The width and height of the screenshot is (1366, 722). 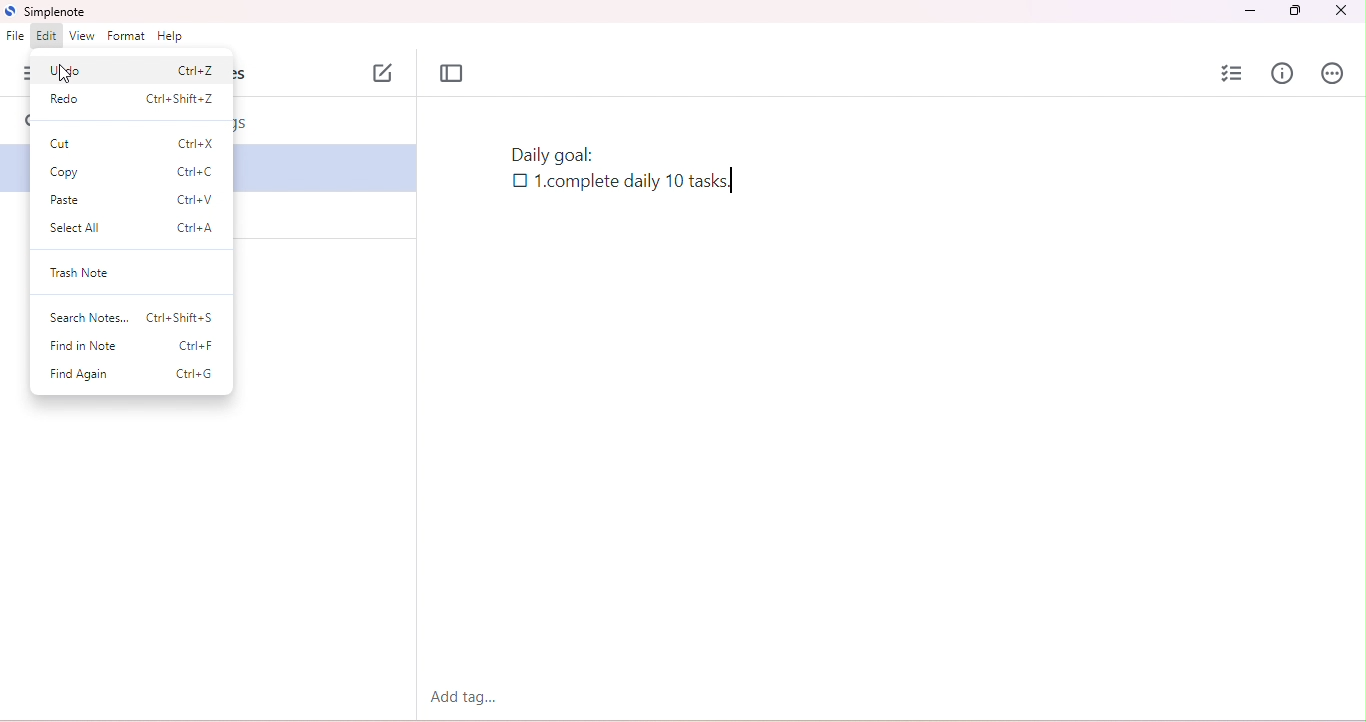 What do you see at coordinates (459, 695) in the screenshot?
I see `add tag` at bounding box center [459, 695].